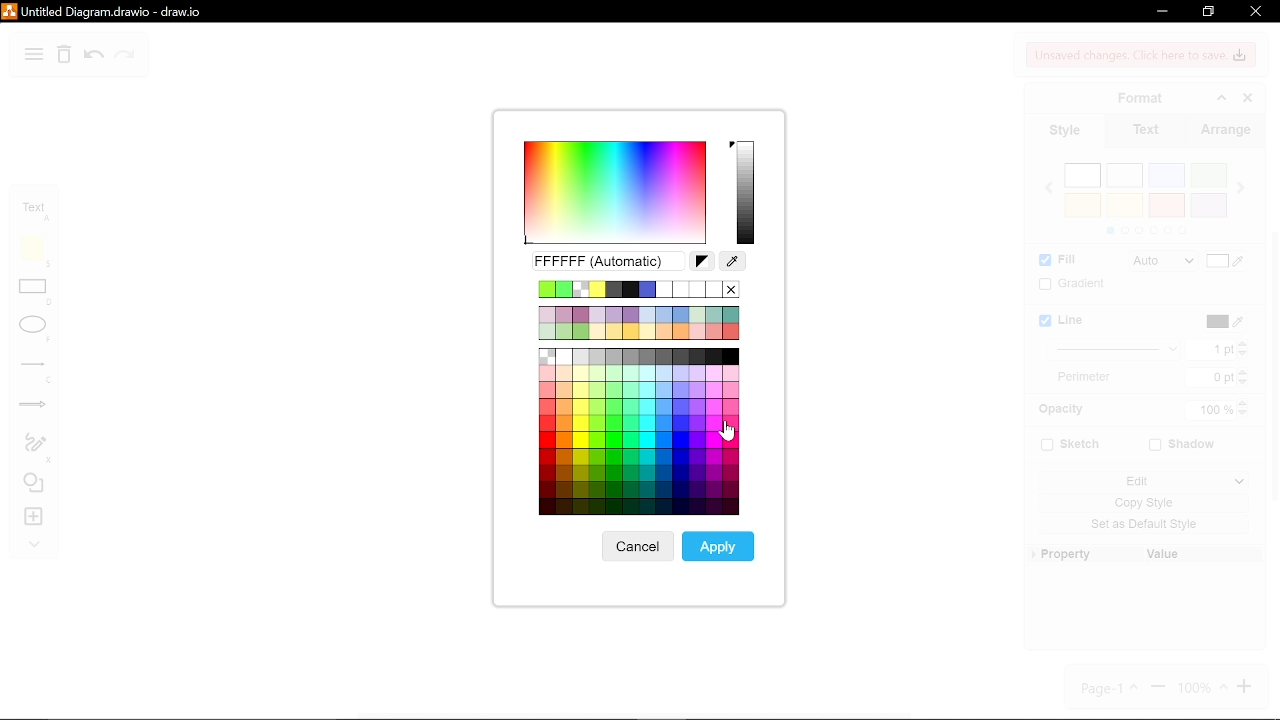 This screenshot has height=720, width=1280. What do you see at coordinates (731, 431) in the screenshot?
I see `Cursor` at bounding box center [731, 431].